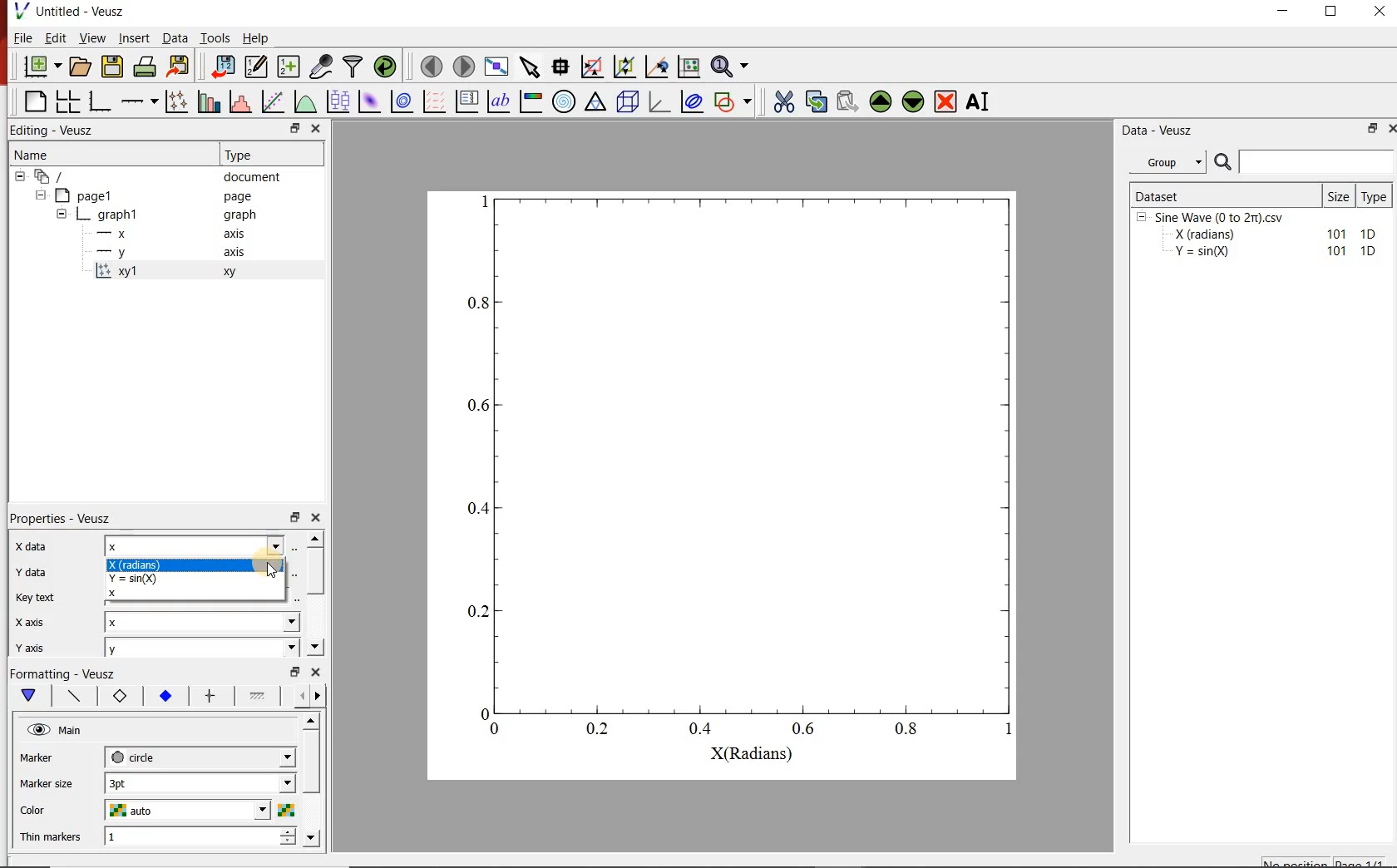 The width and height of the screenshot is (1397, 868). What do you see at coordinates (619, 814) in the screenshot?
I see `Outer ticks` at bounding box center [619, 814].